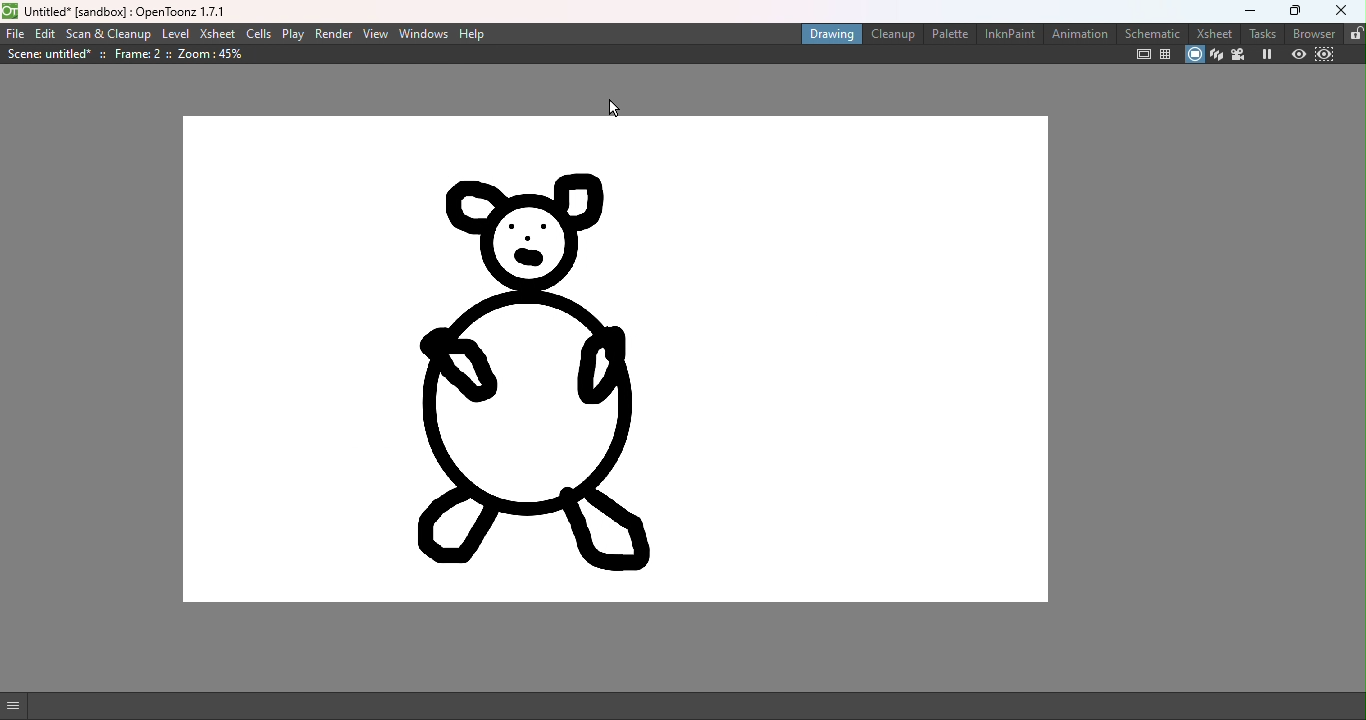  I want to click on Level, so click(175, 34).